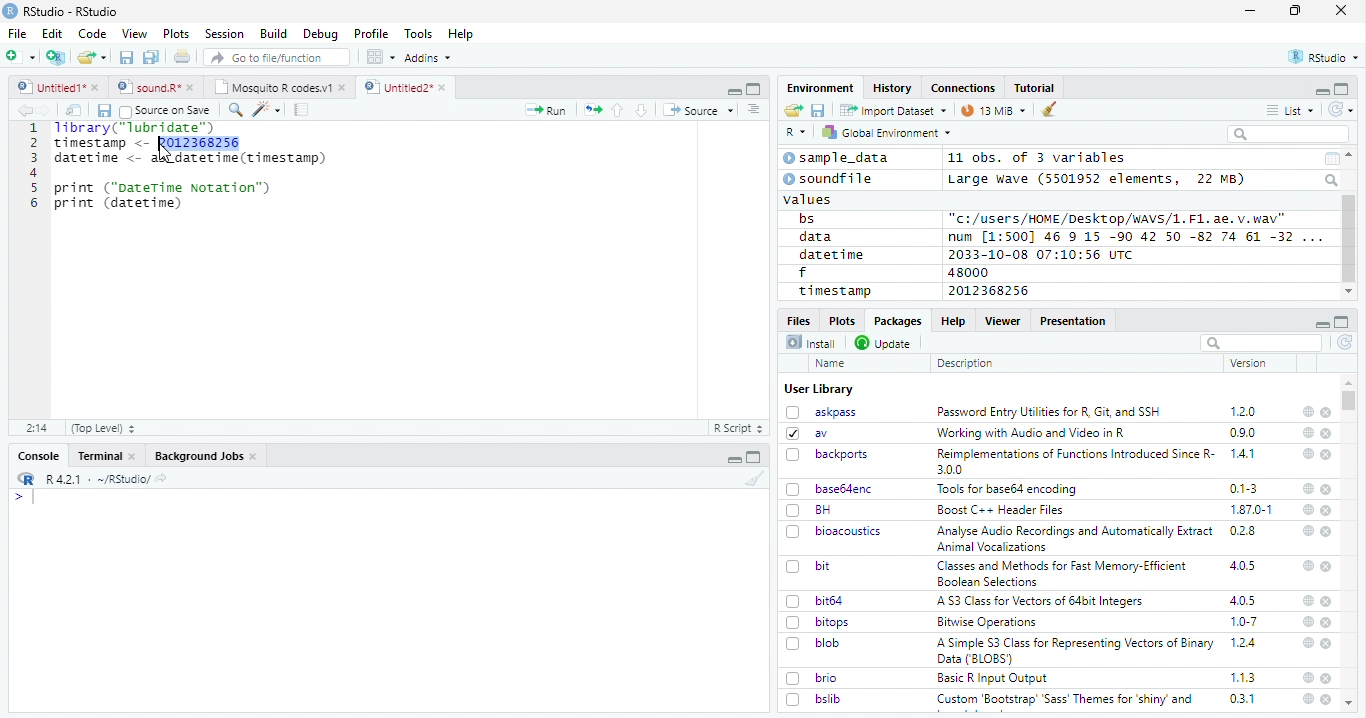 The height and width of the screenshot is (718, 1366). I want to click on typing cursor, so click(24, 497).